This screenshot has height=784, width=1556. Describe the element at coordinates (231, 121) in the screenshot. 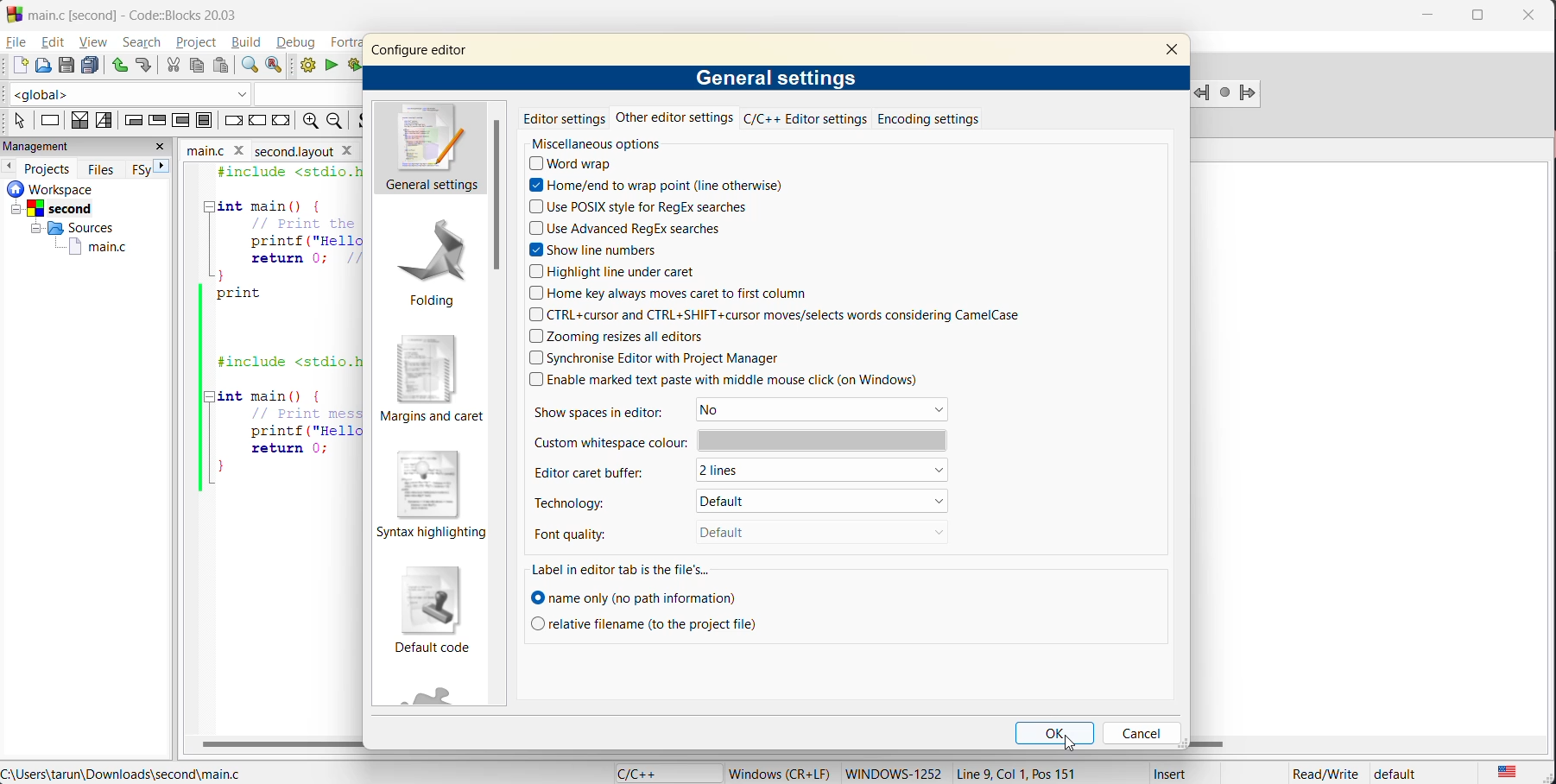

I see `break instruction` at that location.